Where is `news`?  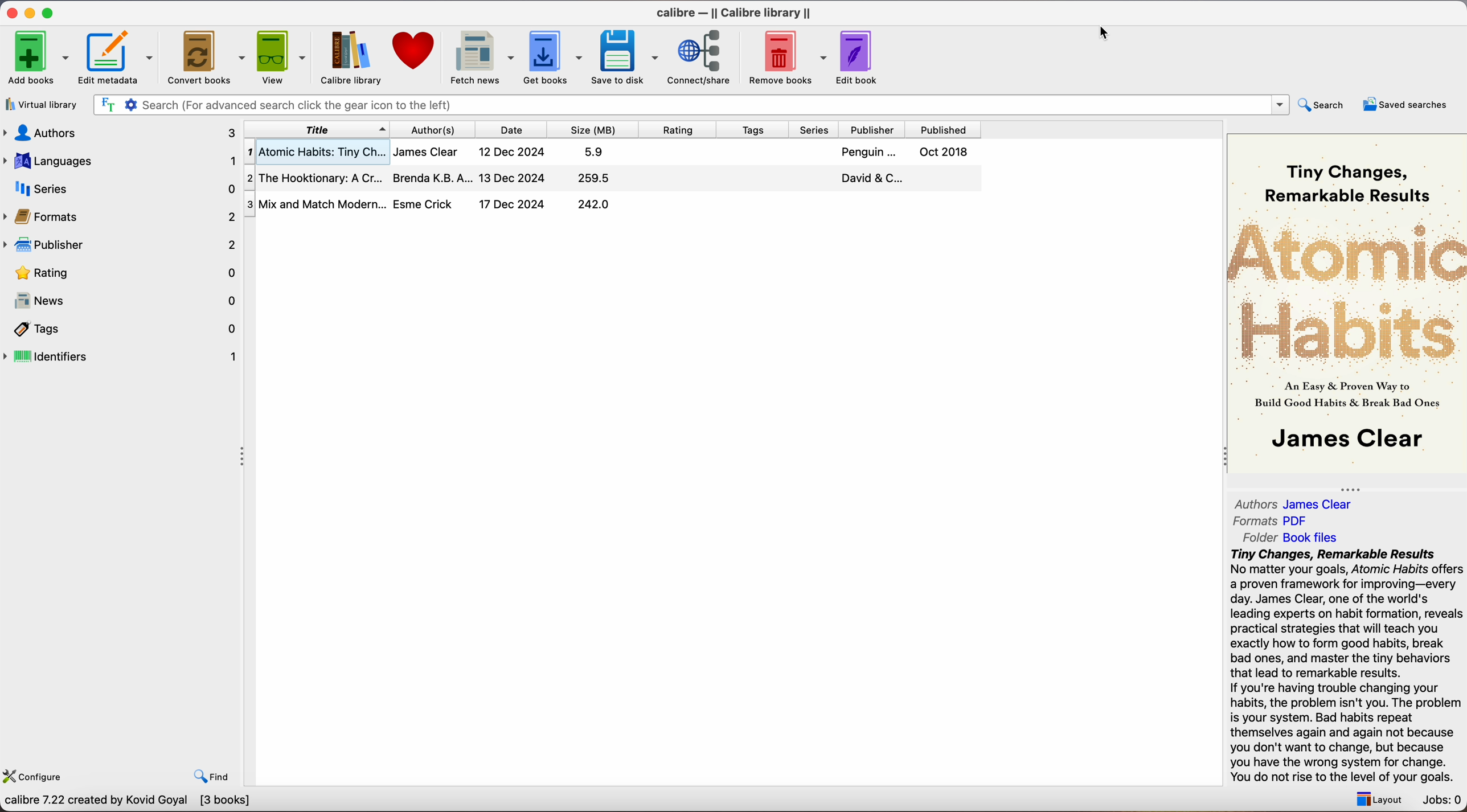 news is located at coordinates (123, 302).